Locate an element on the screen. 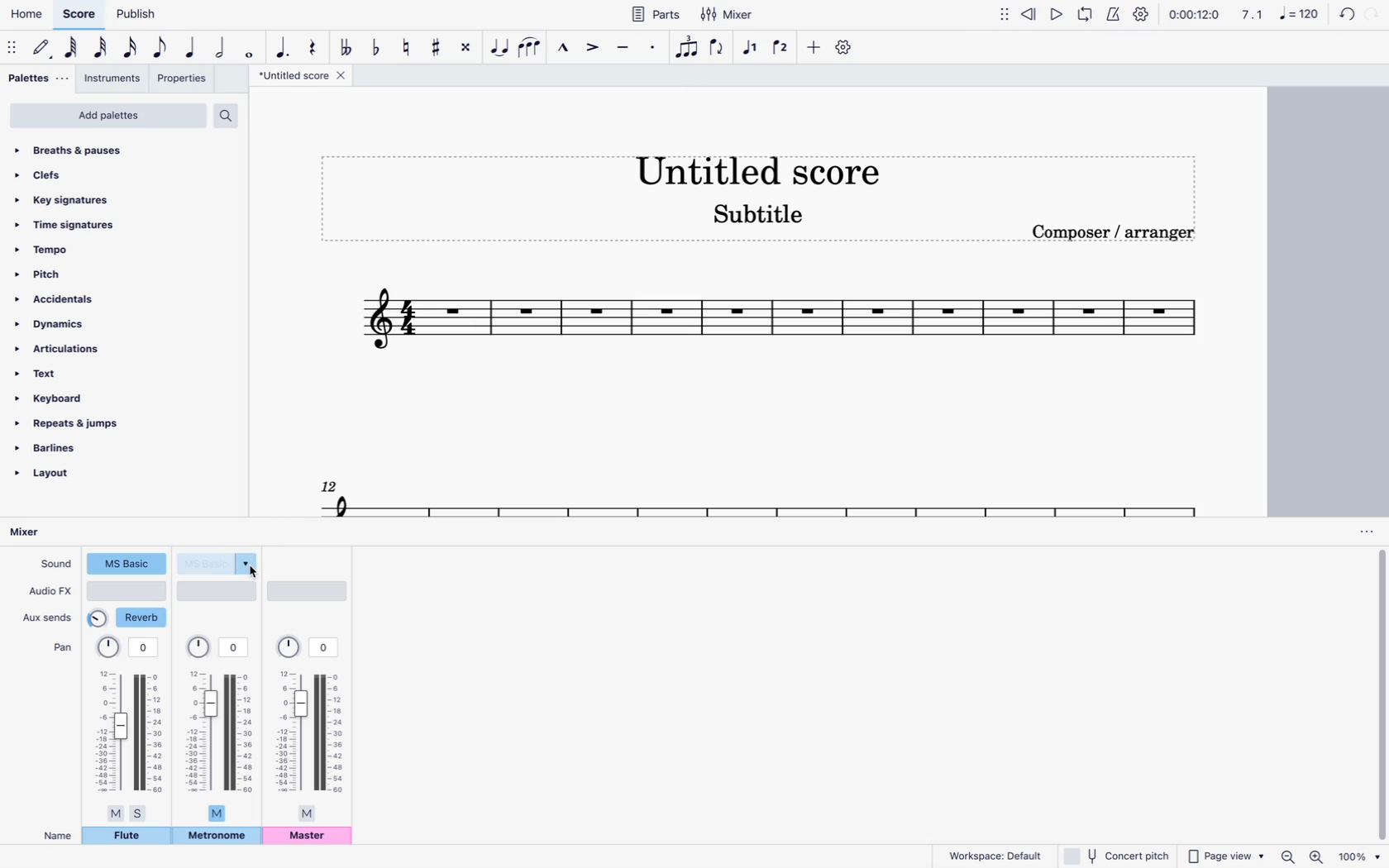 The width and height of the screenshot is (1389, 868). toggle natural is located at coordinates (408, 46).